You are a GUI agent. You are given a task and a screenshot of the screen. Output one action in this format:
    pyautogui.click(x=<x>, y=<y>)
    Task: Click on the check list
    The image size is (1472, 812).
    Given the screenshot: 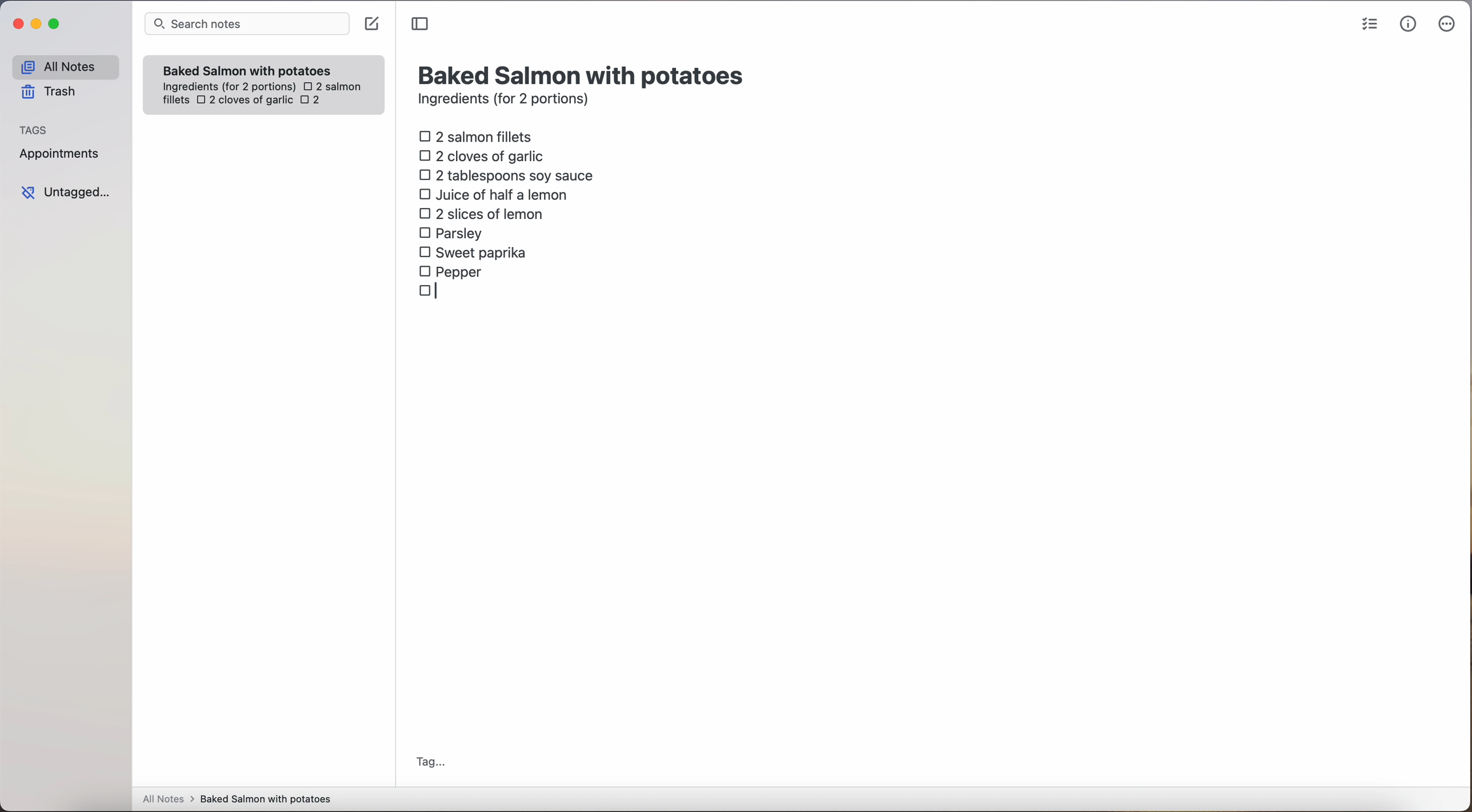 What is the action you would take?
    pyautogui.click(x=1370, y=25)
    